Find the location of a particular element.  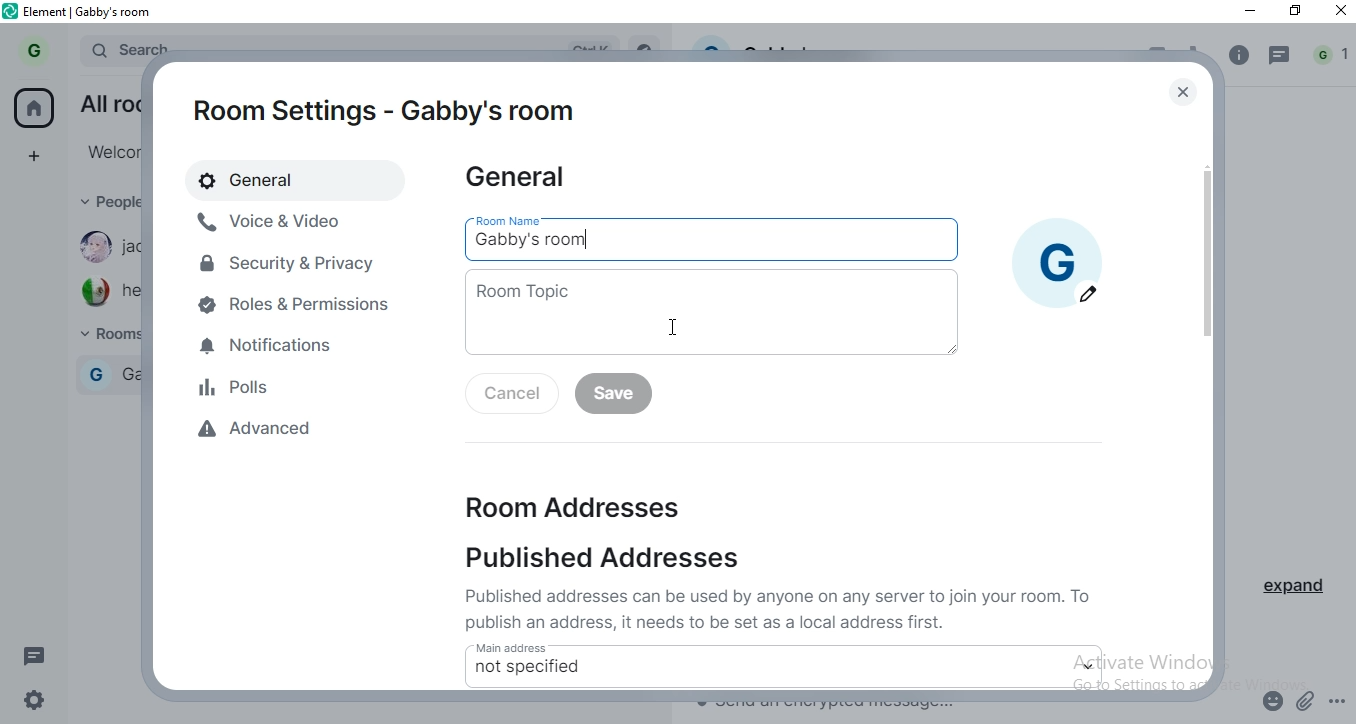

security & privacy is located at coordinates (289, 262).